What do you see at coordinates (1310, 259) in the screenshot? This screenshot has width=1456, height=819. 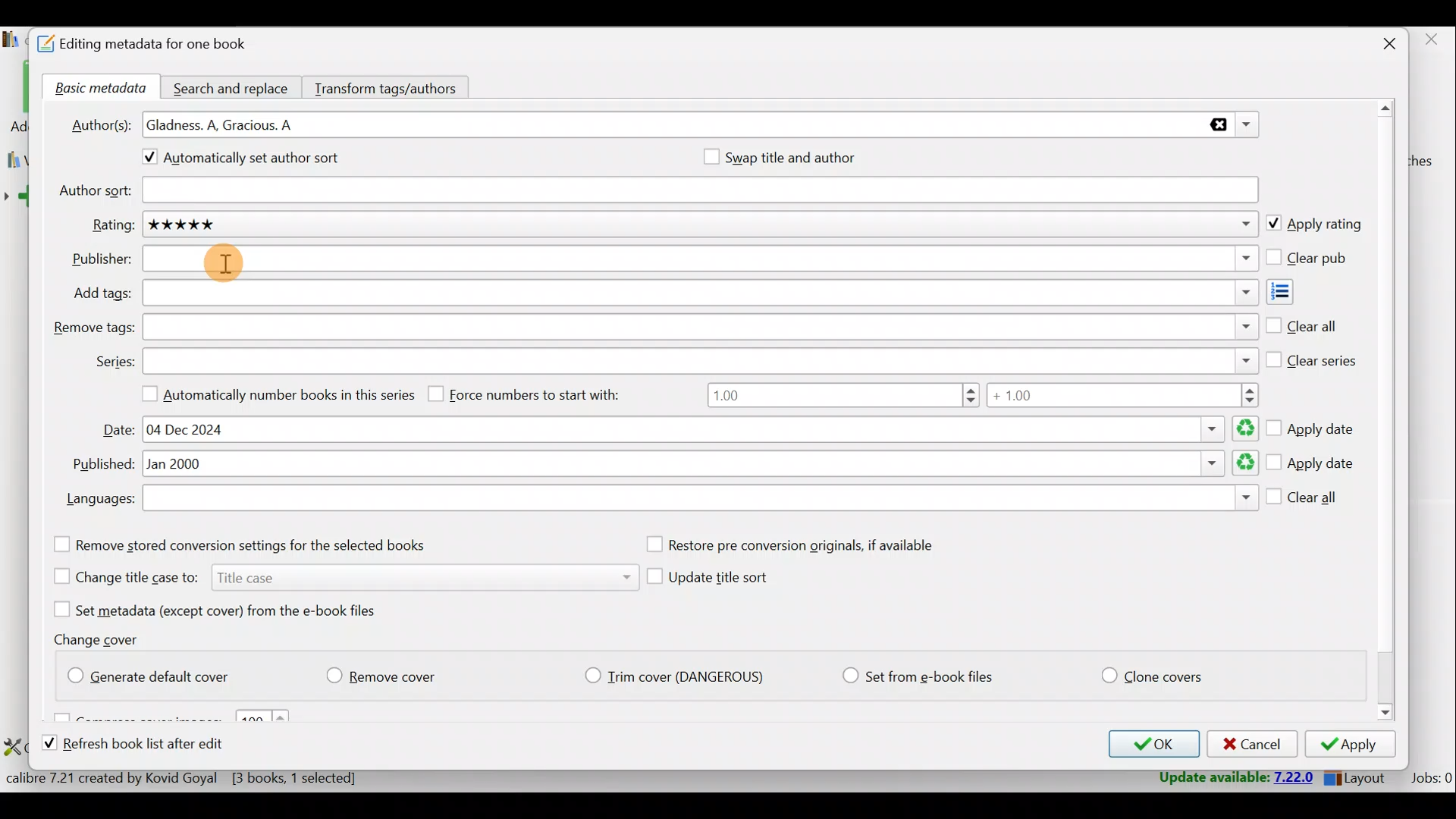 I see `Clear pub` at bounding box center [1310, 259].